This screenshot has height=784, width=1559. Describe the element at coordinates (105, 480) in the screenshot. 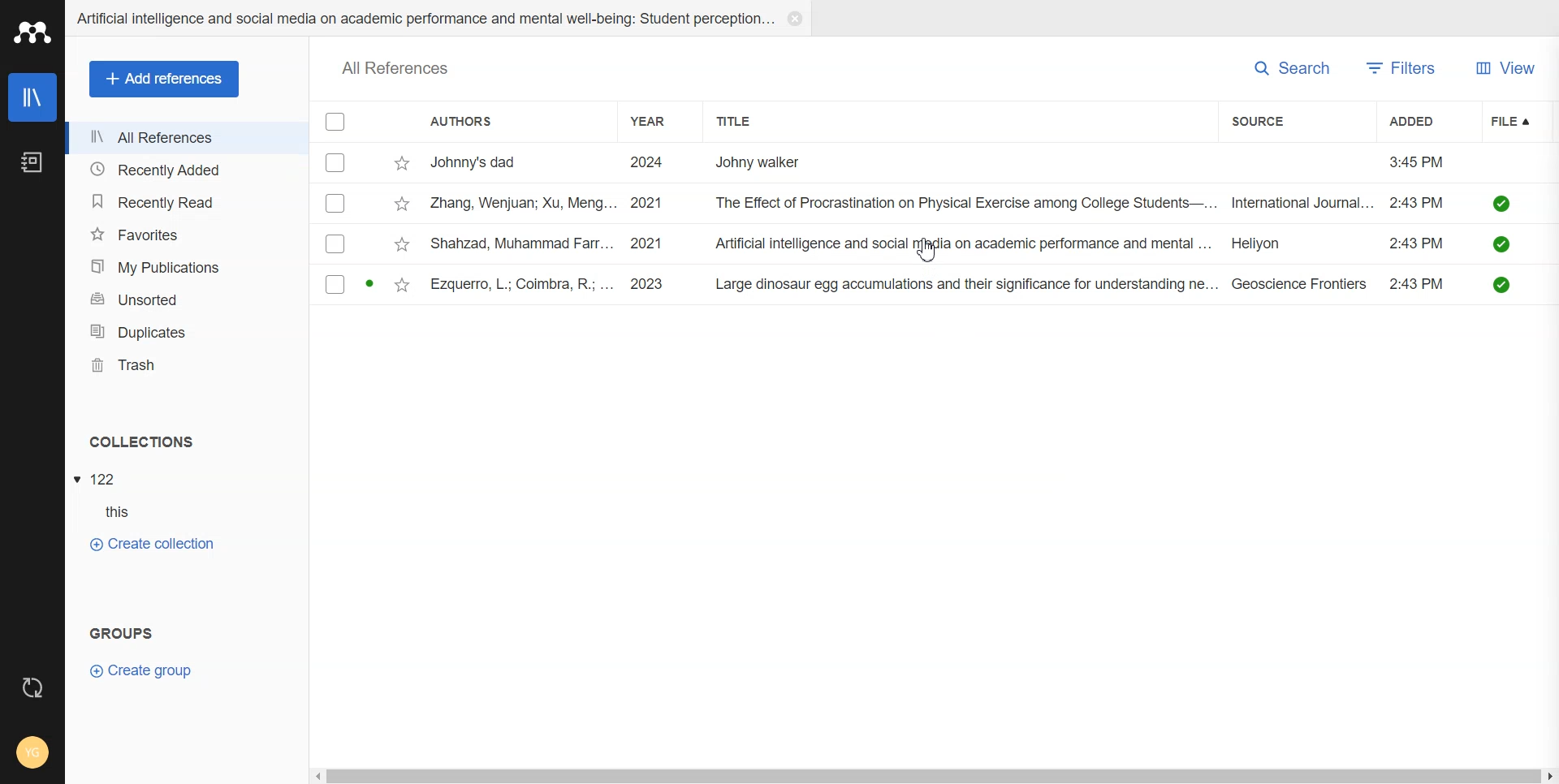

I see `122` at that location.